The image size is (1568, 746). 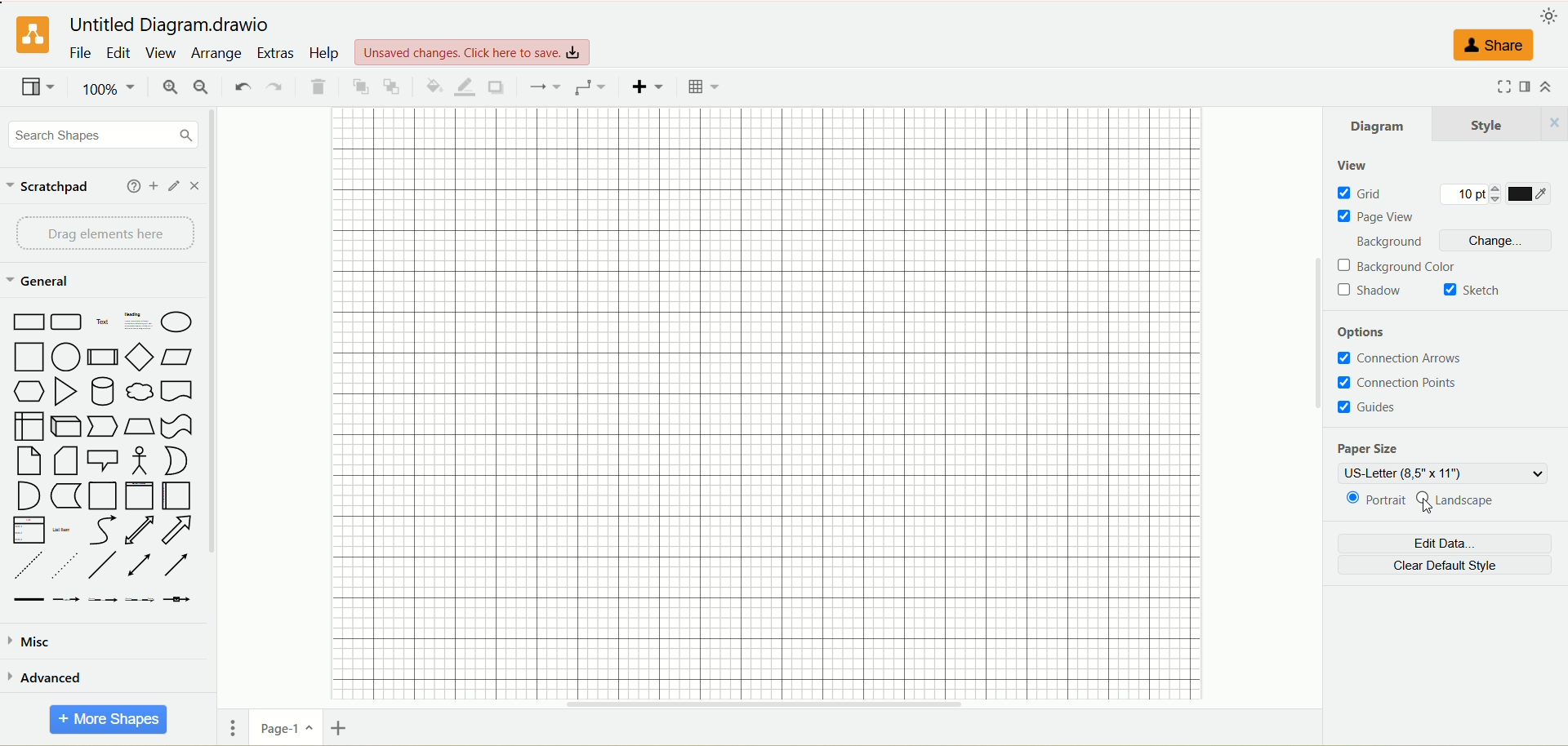 What do you see at coordinates (109, 87) in the screenshot?
I see `100%` at bounding box center [109, 87].